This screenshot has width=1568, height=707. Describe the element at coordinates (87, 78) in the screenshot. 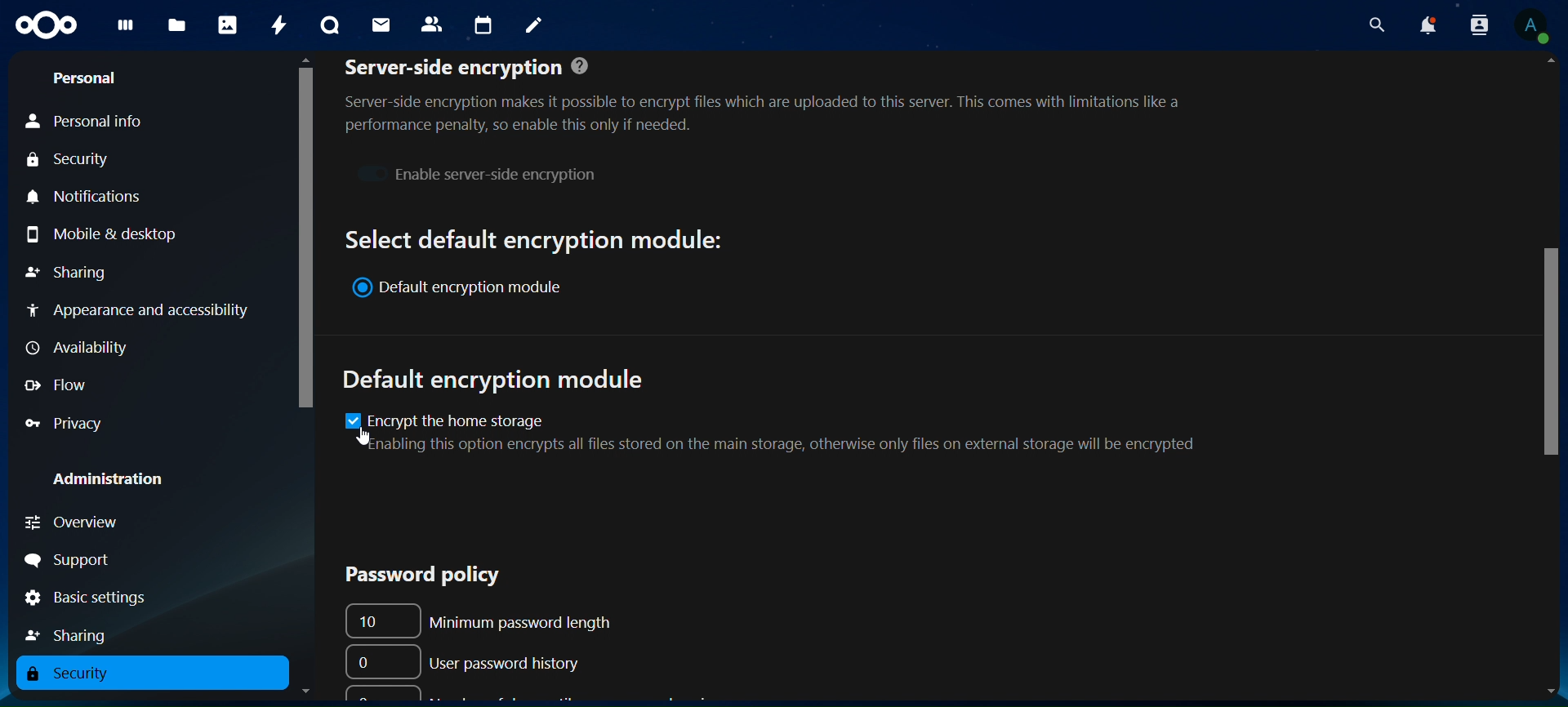

I see `personal` at that location.